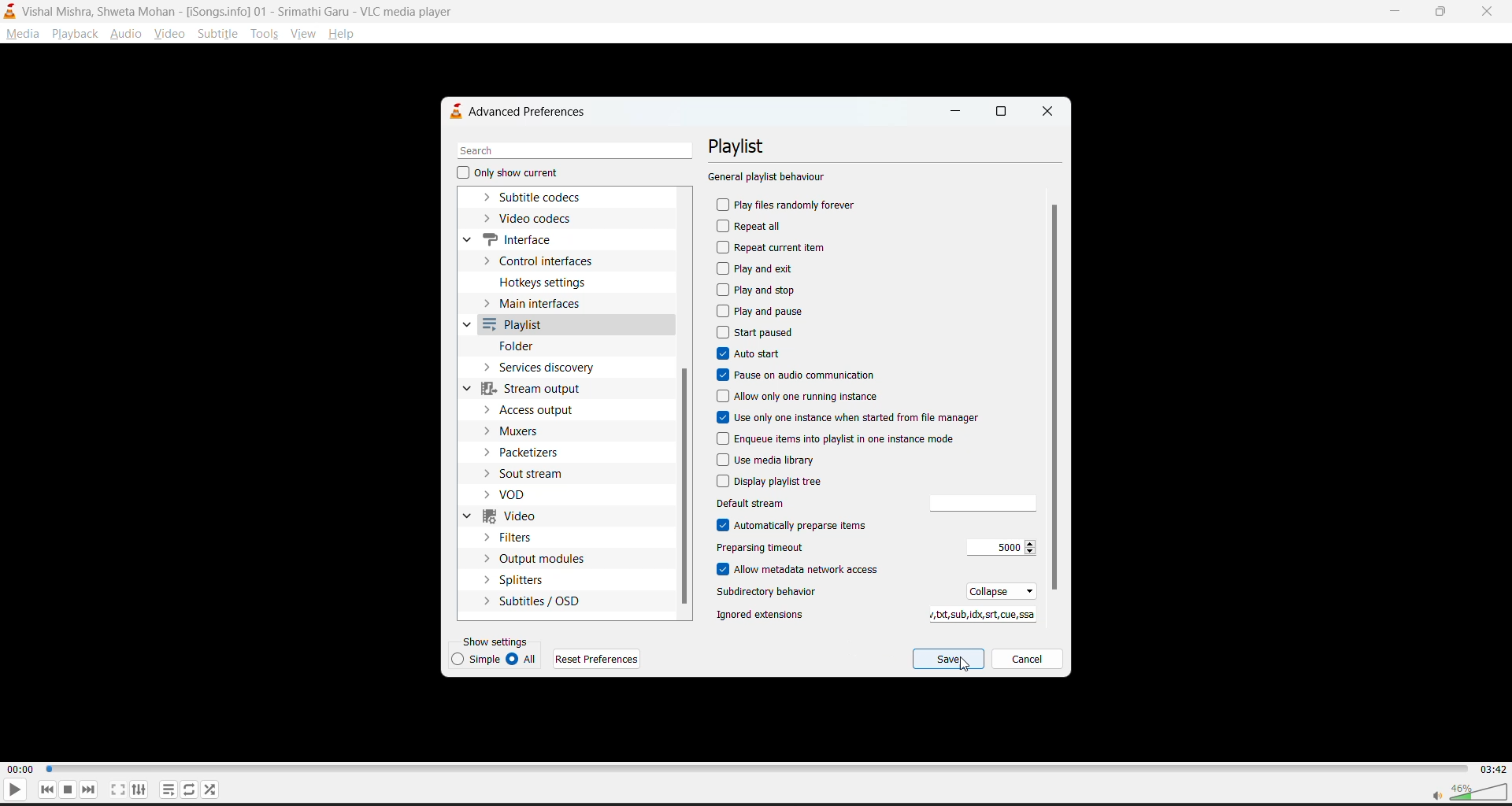 The width and height of the screenshot is (1512, 806). Describe the element at coordinates (771, 482) in the screenshot. I see `display playlist tree` at that location.